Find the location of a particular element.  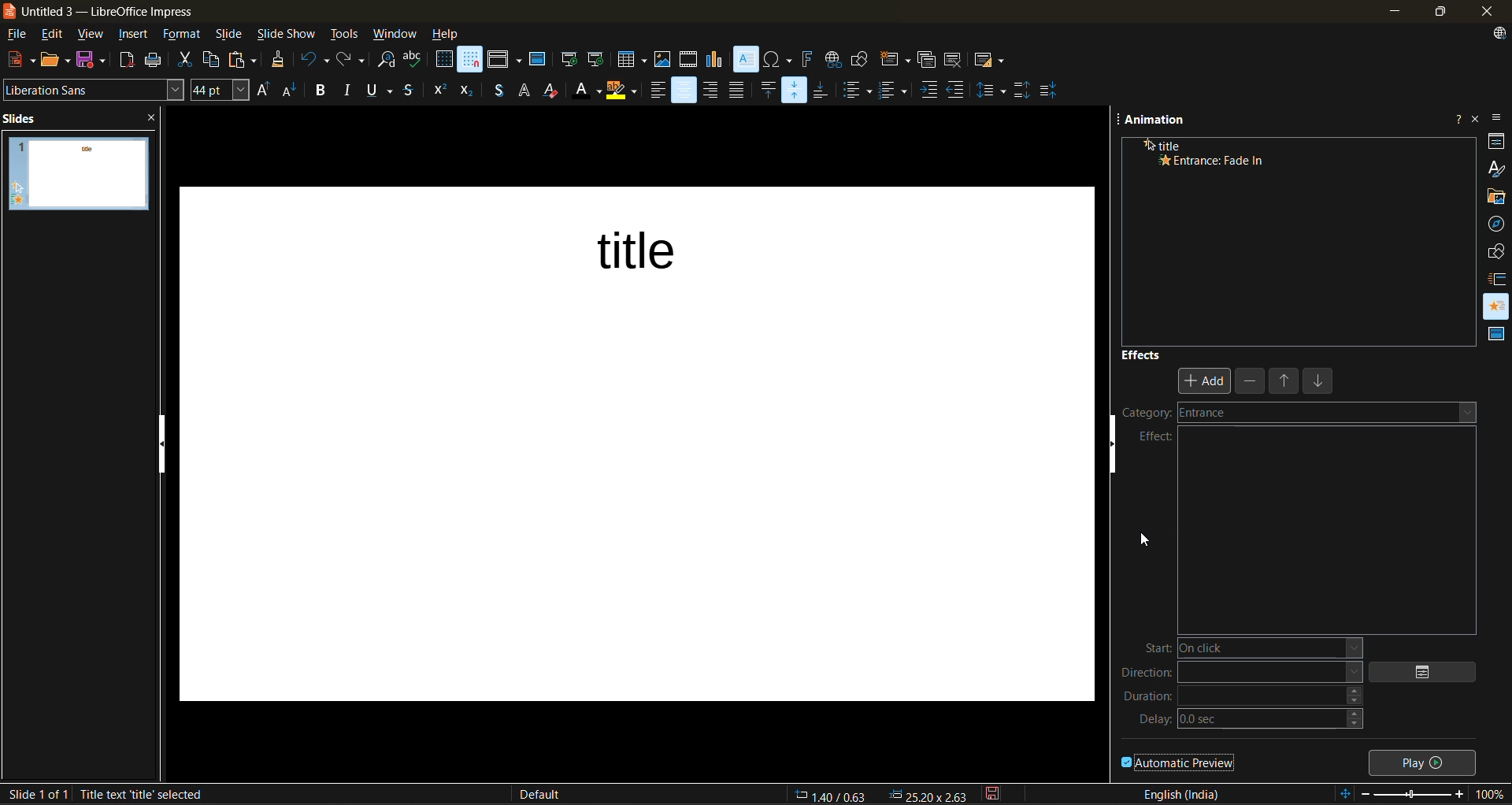

duration is located at coordinates (1243, 701).